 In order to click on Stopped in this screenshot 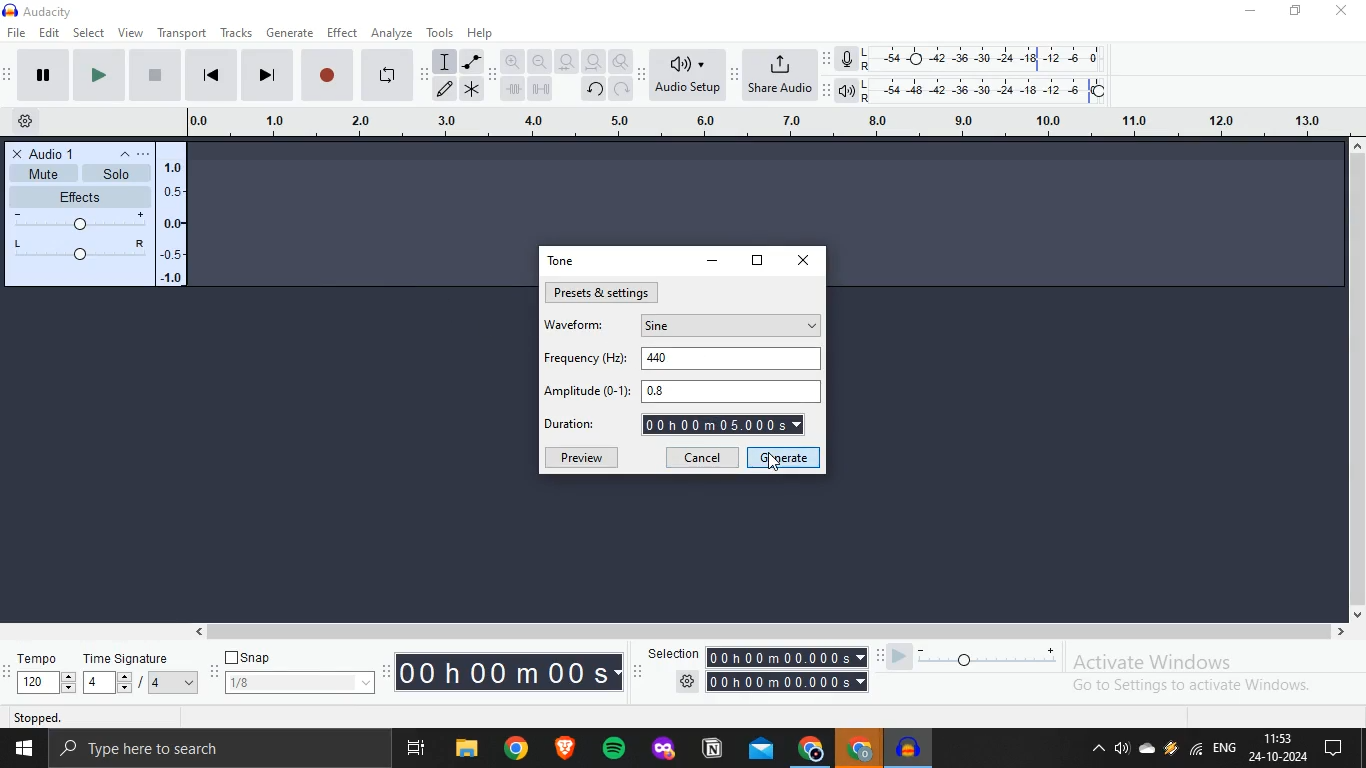, I will do `click(107, 716)`.